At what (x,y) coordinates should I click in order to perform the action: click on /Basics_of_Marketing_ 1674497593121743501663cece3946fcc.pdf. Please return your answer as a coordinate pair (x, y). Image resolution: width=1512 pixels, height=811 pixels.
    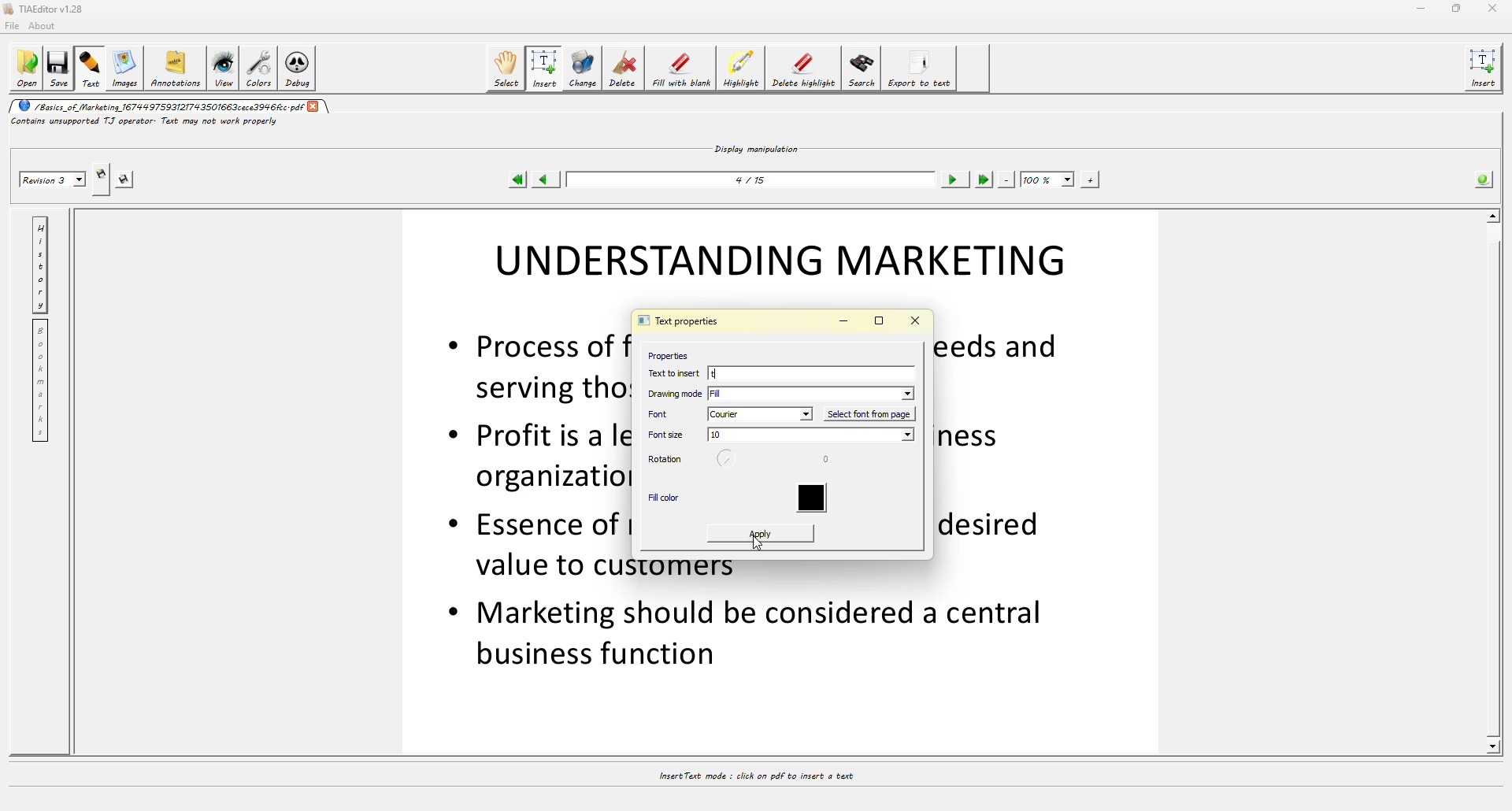
    Looking at the image, I should click on (160, 106).